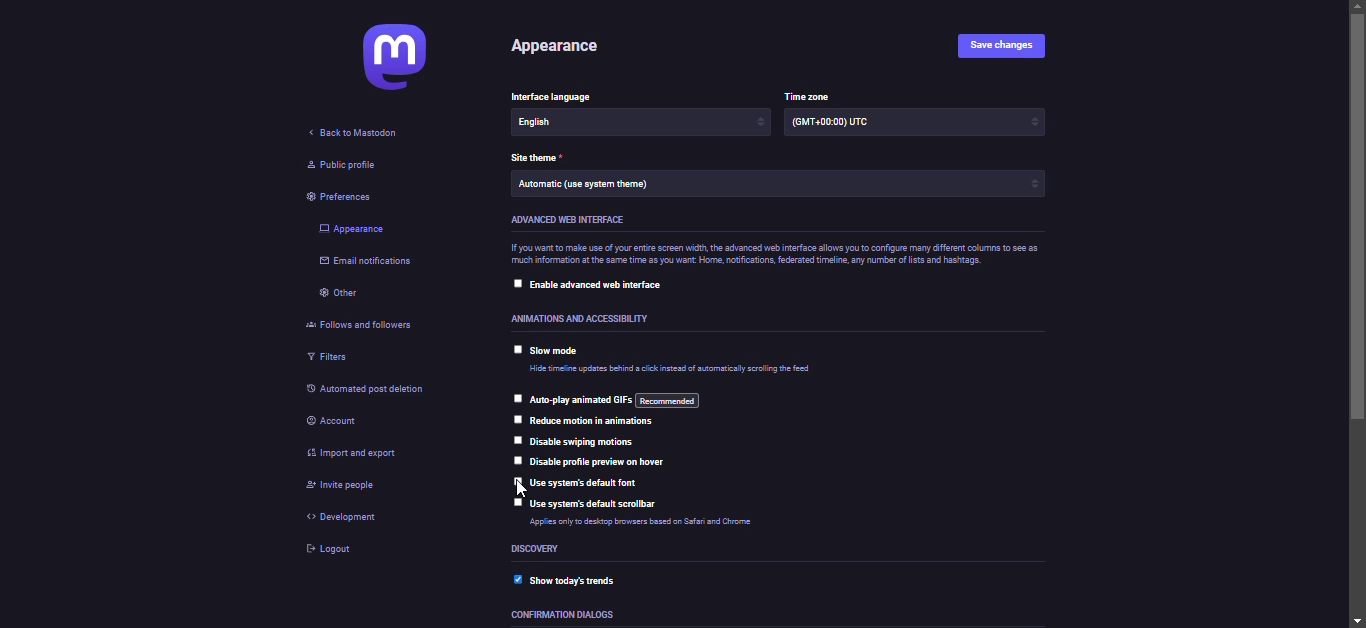 The height and width of the screenshot is (628, 1366). What do you see at coordinates (606, 502) in the screenshot?
I see `use system's default scrollbar` at bounding box center [606, 502].